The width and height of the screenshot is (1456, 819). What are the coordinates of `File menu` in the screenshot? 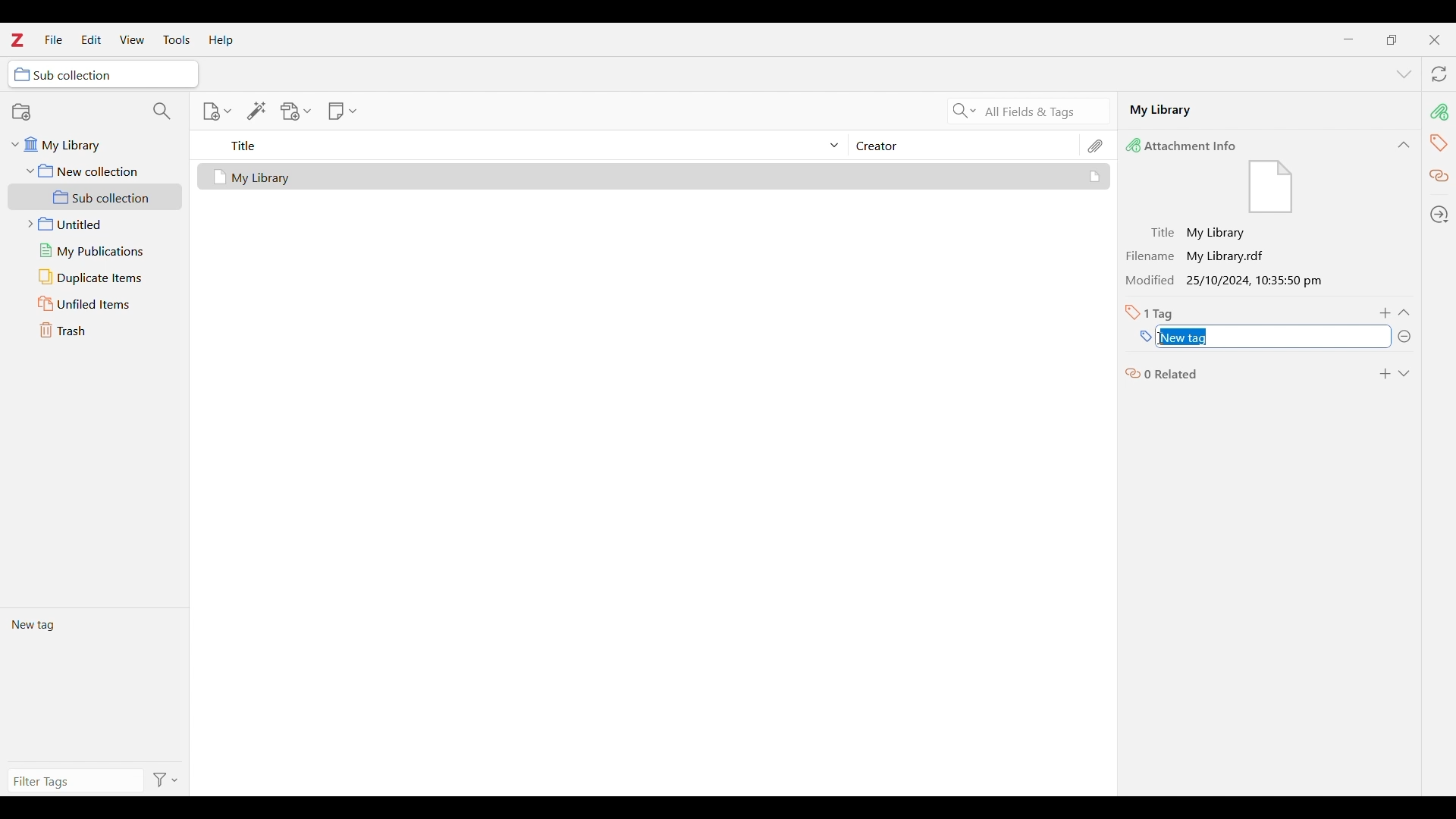 It's located at (53, 39).